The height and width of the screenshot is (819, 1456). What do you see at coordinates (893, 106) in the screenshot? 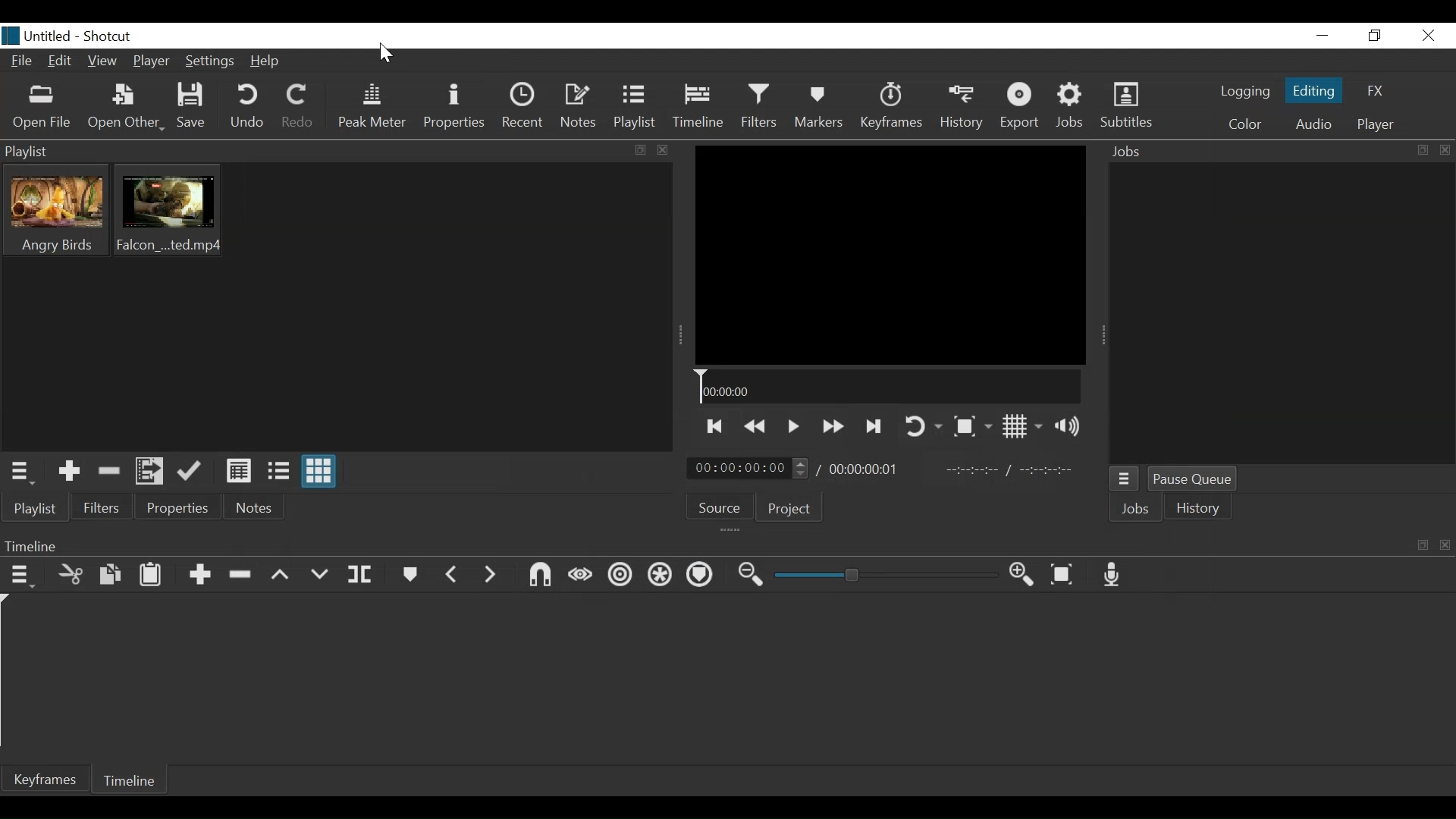
I see `Keyframe` at bounding box center [893, 106].